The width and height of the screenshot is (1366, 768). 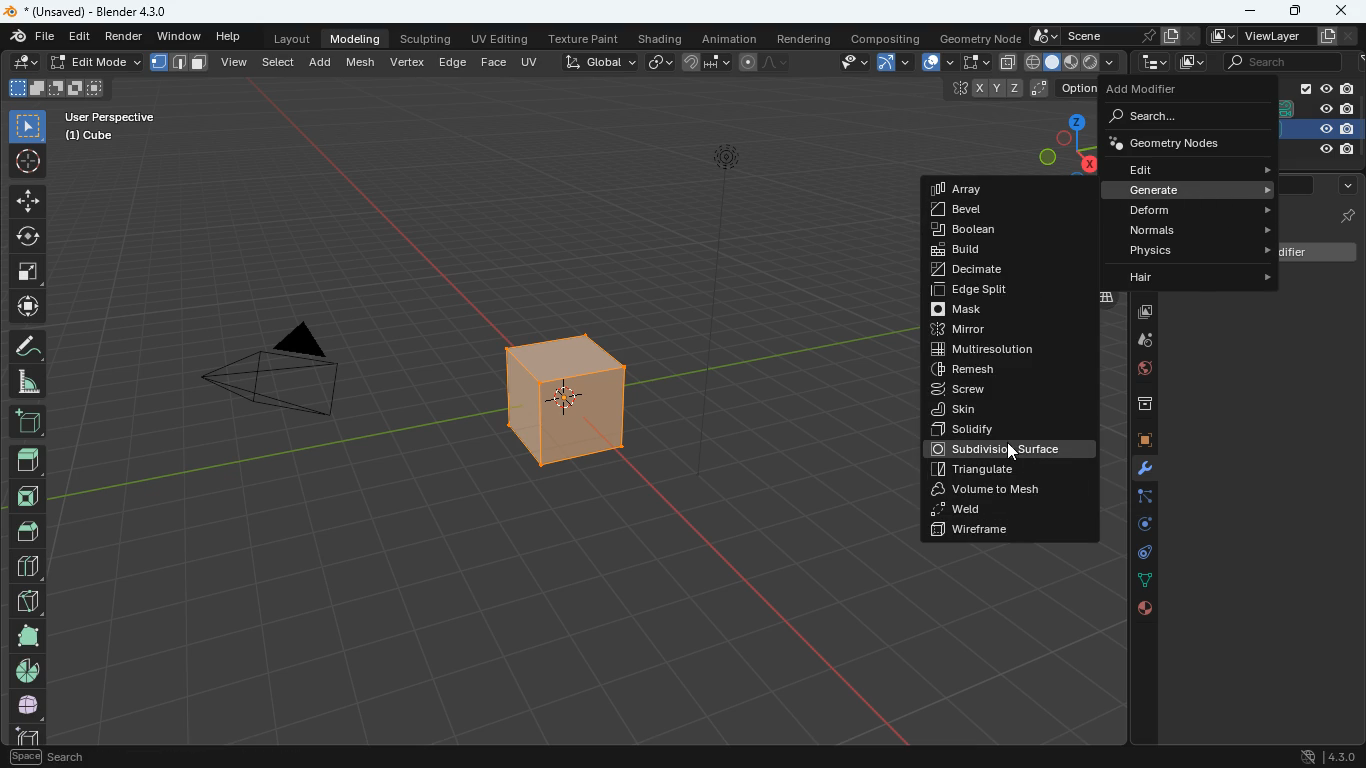 I want to click on rotation, so click(x=1140, y=525).